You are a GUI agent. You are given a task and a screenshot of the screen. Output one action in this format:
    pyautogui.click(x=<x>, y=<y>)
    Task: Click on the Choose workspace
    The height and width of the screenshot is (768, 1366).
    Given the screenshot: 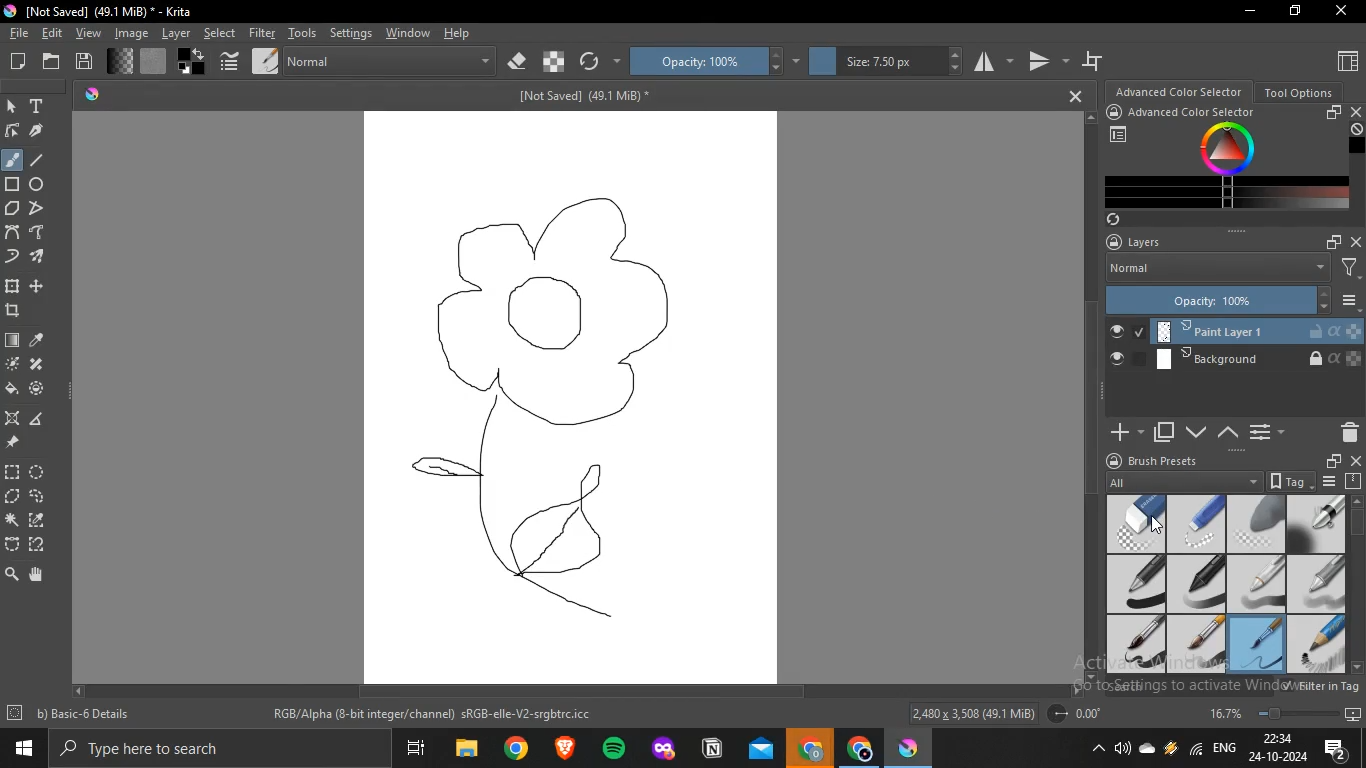 What is the action you would take?
    pyautogui.click(x=1346, y=60)
    